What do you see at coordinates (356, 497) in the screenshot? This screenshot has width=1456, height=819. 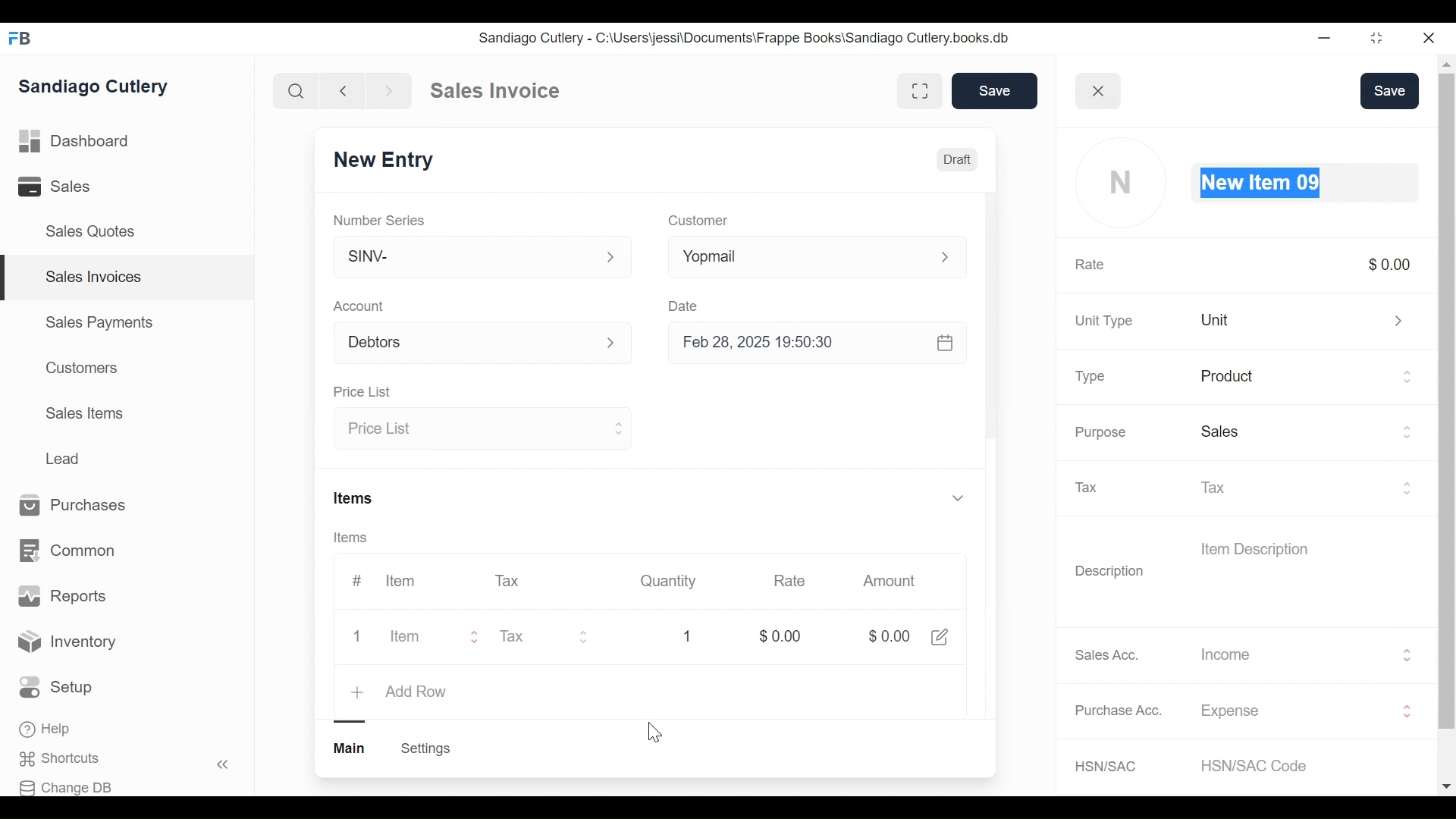 I see `Items` at bounding box center [356, 497].